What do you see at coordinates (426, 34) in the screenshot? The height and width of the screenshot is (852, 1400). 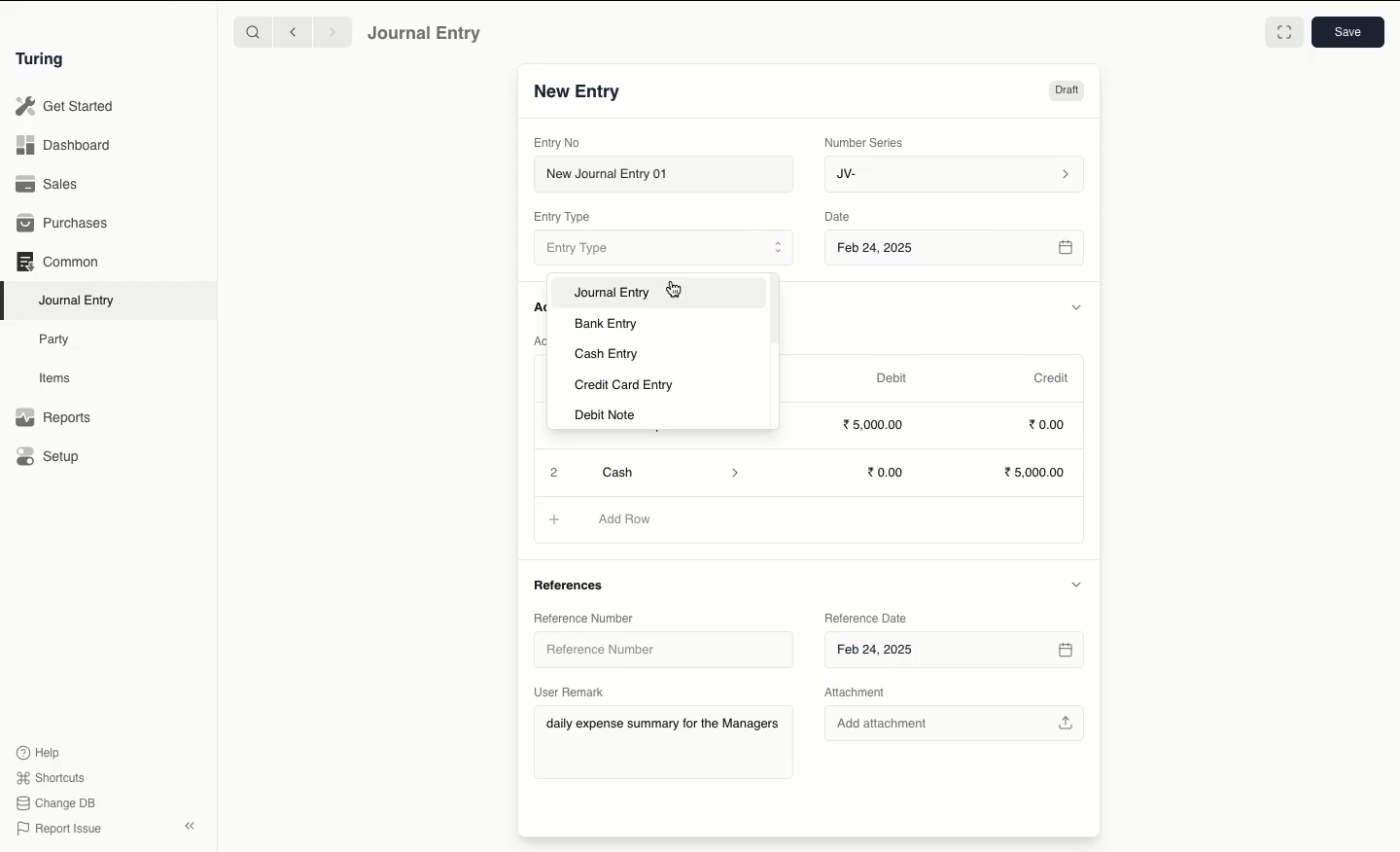 I see `Journal Entry` at bounding box center [426, 34].